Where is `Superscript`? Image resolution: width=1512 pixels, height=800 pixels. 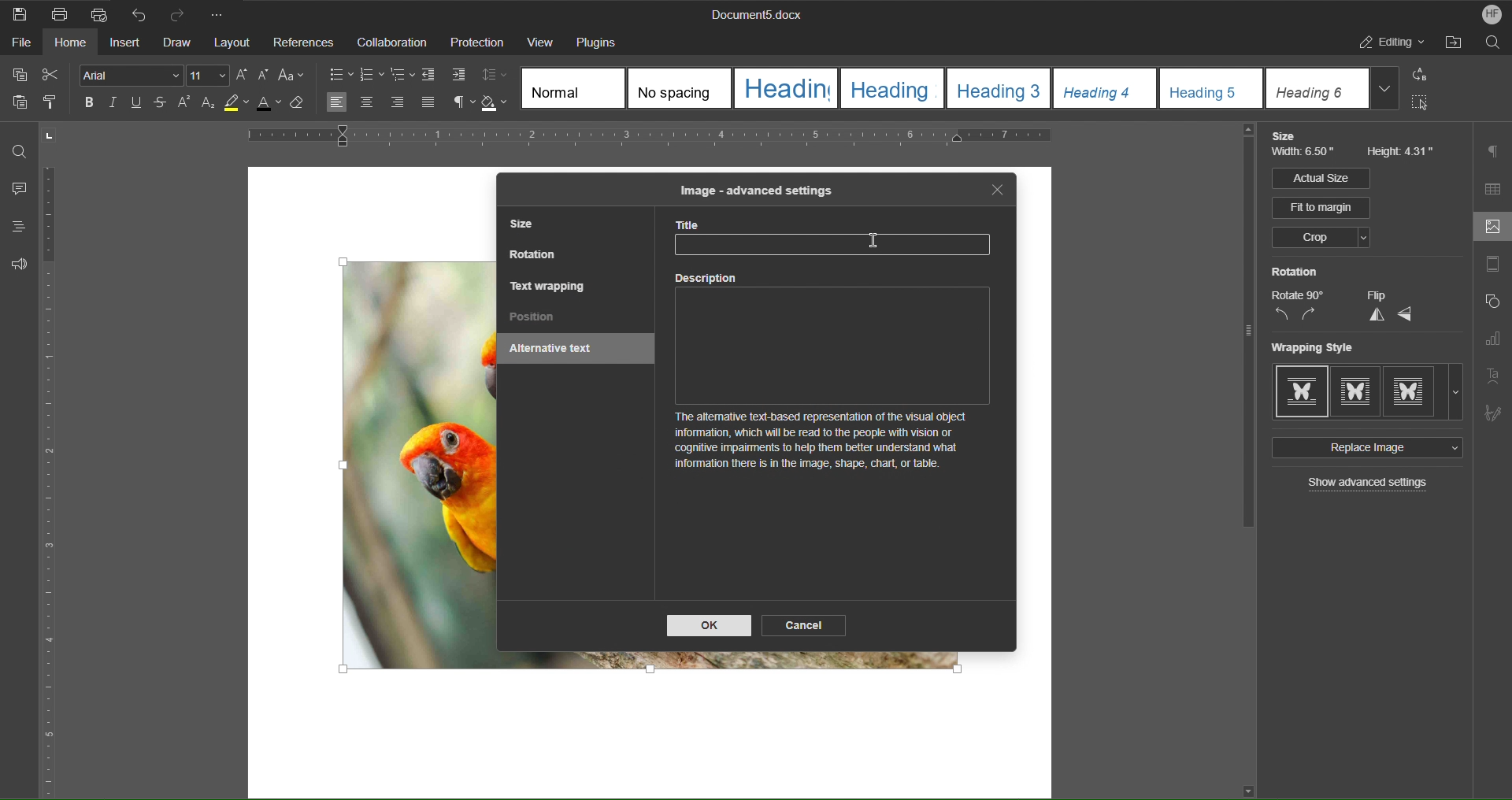
Superscript is located at coordinates (184, 105).